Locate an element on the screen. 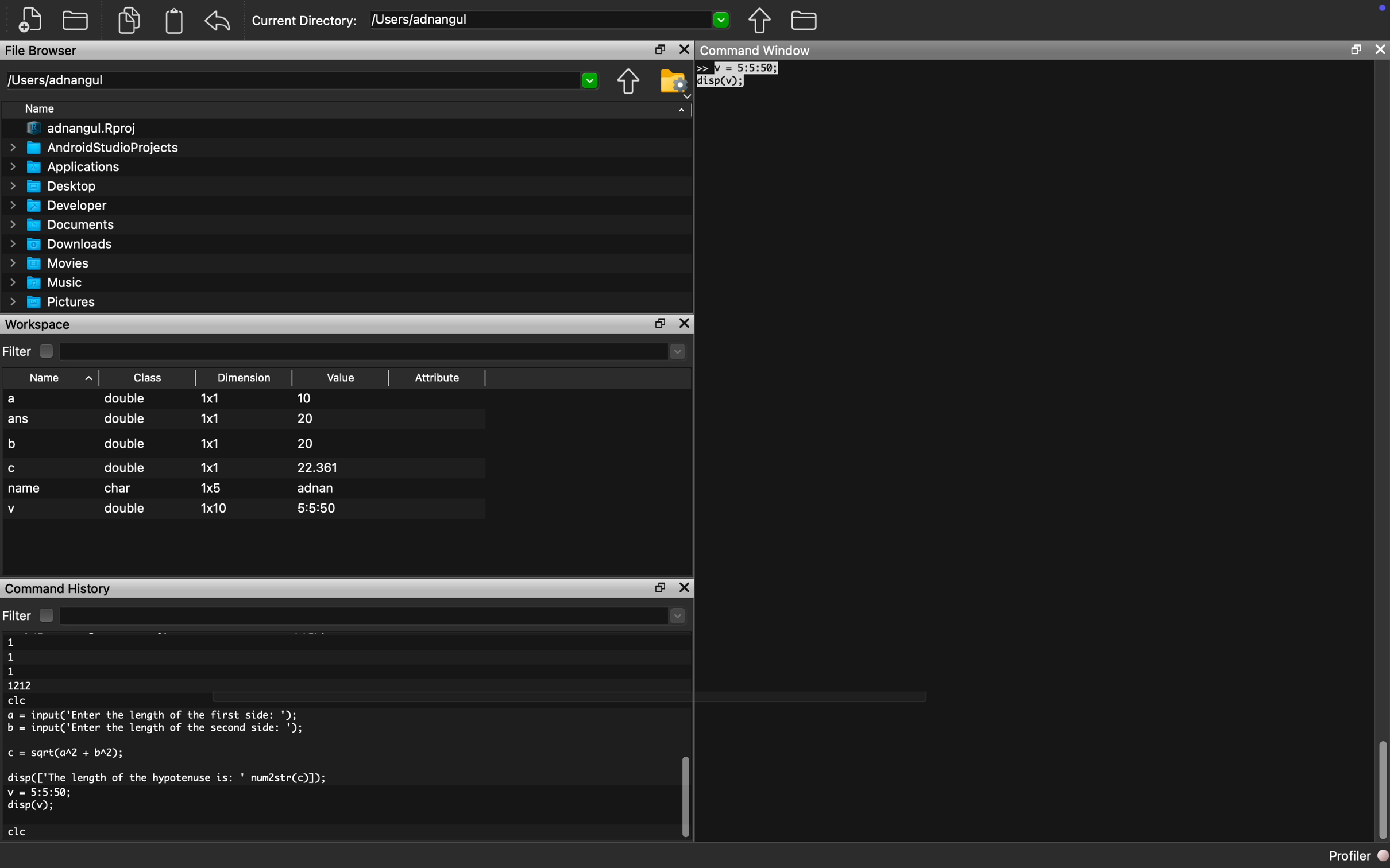  Dimension is located at coordinates (243, 378).